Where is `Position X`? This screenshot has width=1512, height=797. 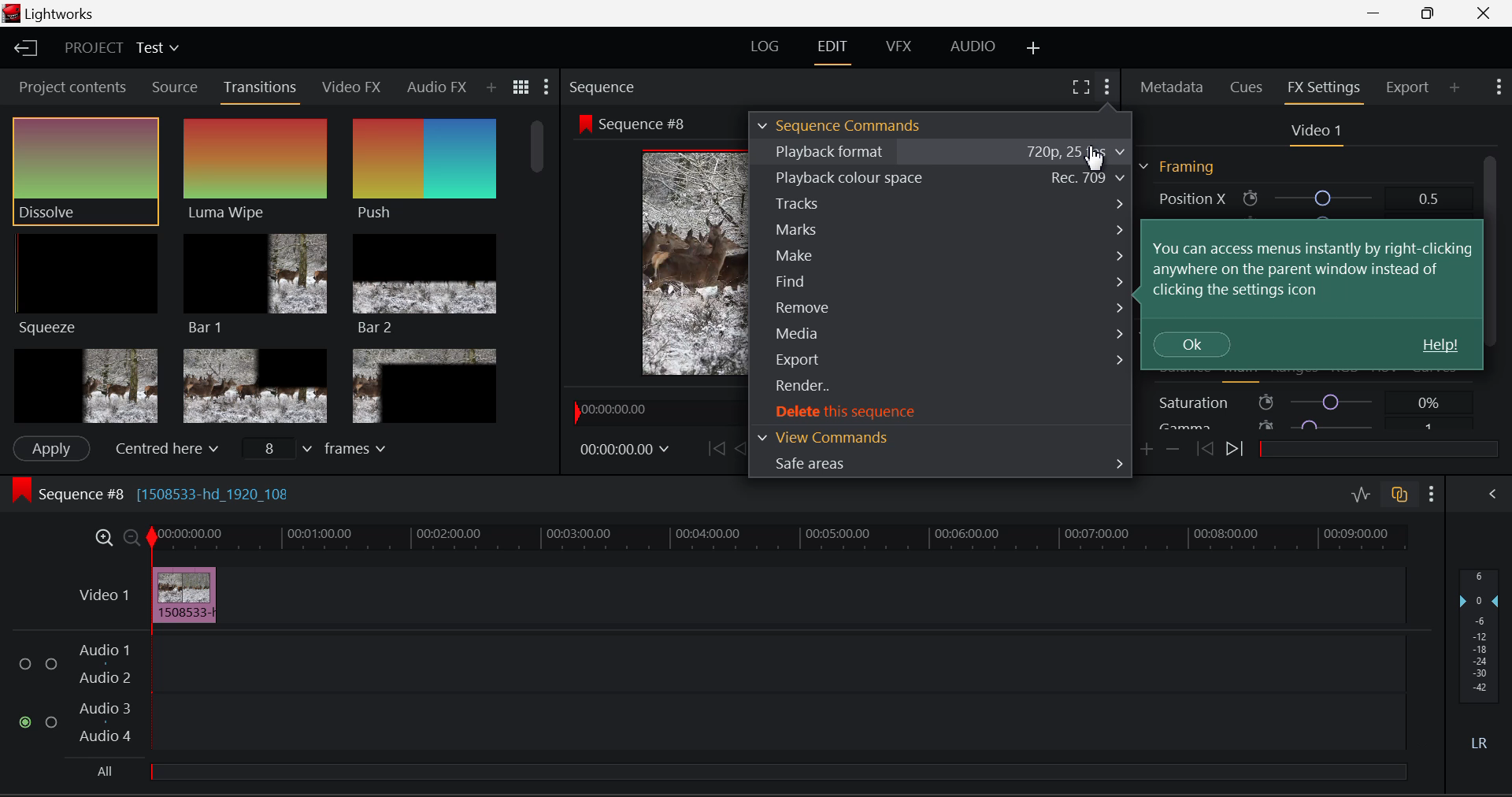
Position X is located at coordinates (1299, 197).